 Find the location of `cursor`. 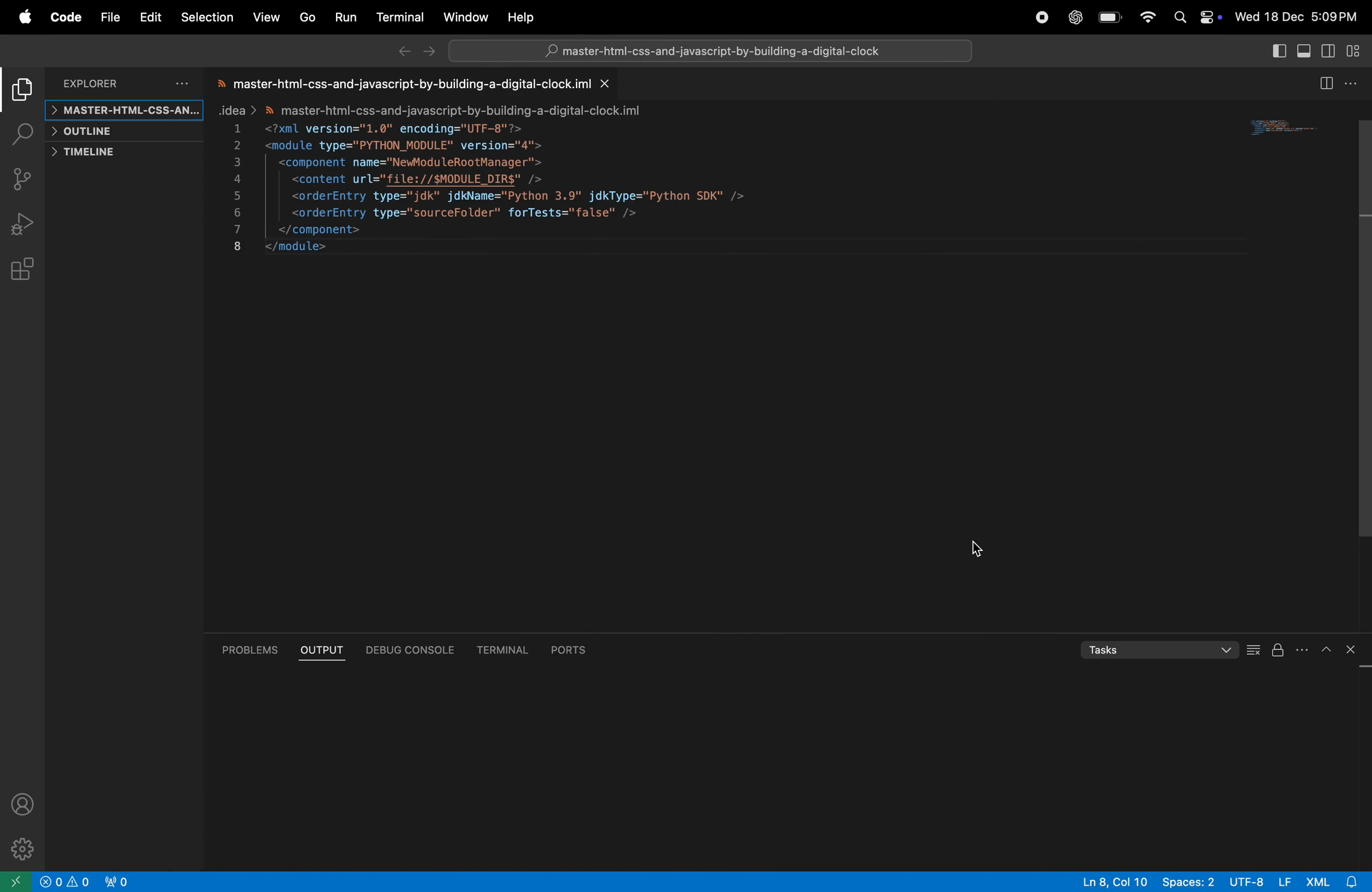

cursor is located at coordinates (981, 549).